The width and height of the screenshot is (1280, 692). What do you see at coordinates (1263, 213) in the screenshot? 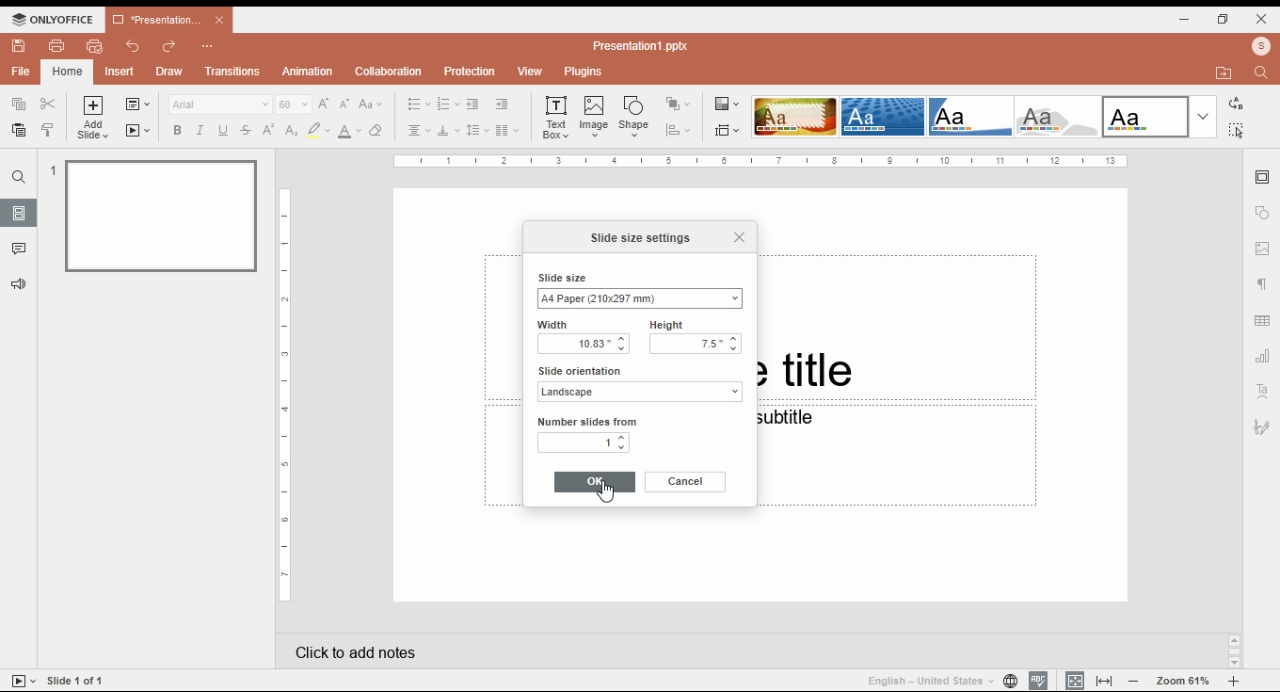
I see `shape settings` at bounding box center [1263, 213].